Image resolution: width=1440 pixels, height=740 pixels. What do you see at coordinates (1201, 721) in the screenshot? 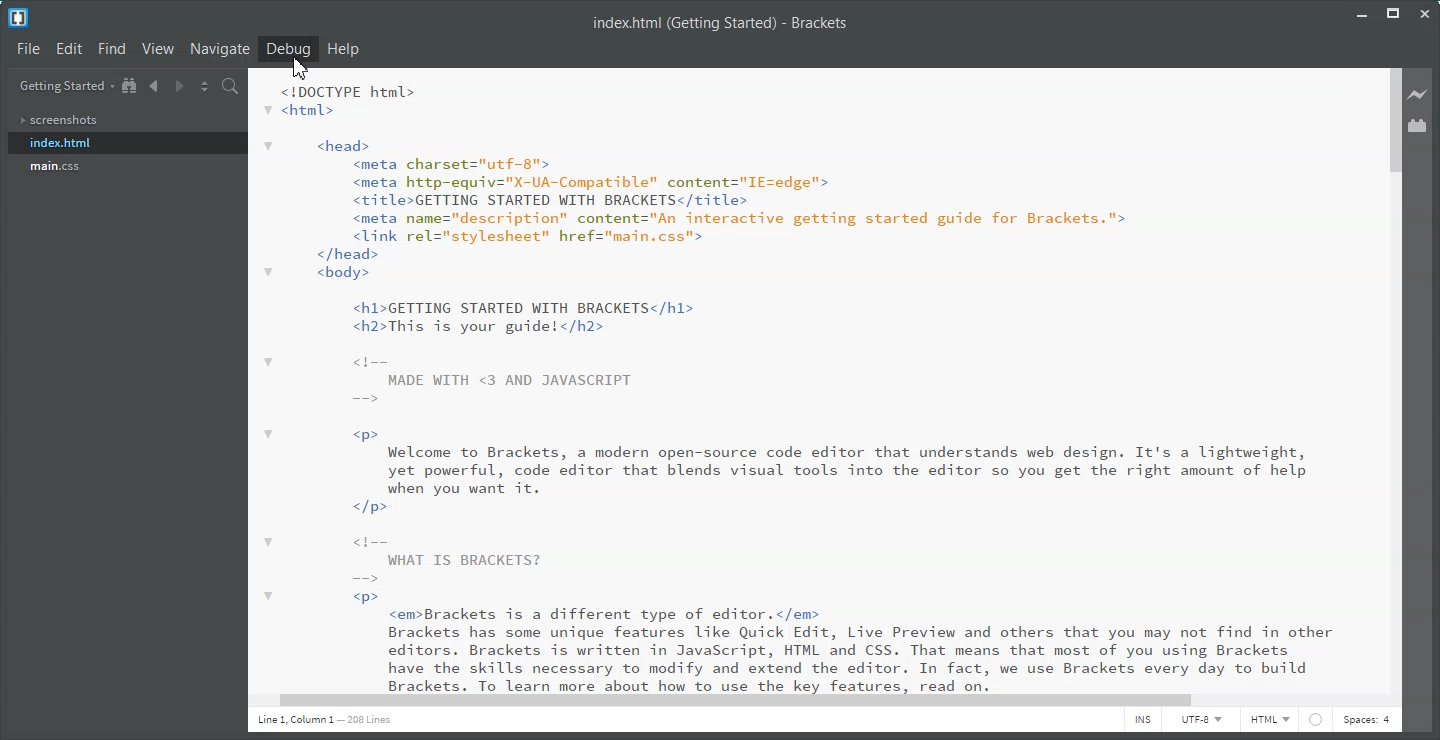
I see `UTF-8` at bounding box center [1201, 721].